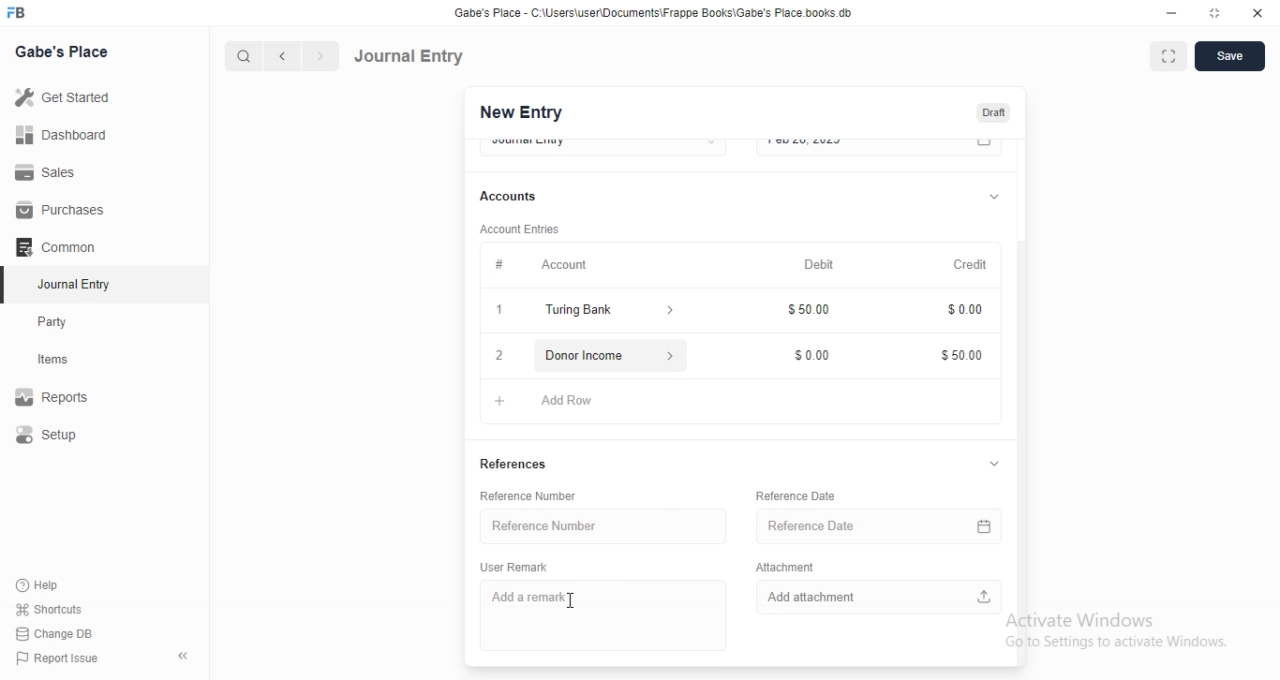 The width and height of the screenshot is (1280, 680). What do you see at coordinates (814, 351) in the screenshot?
I see `$000` at bounding box center [814, 351].